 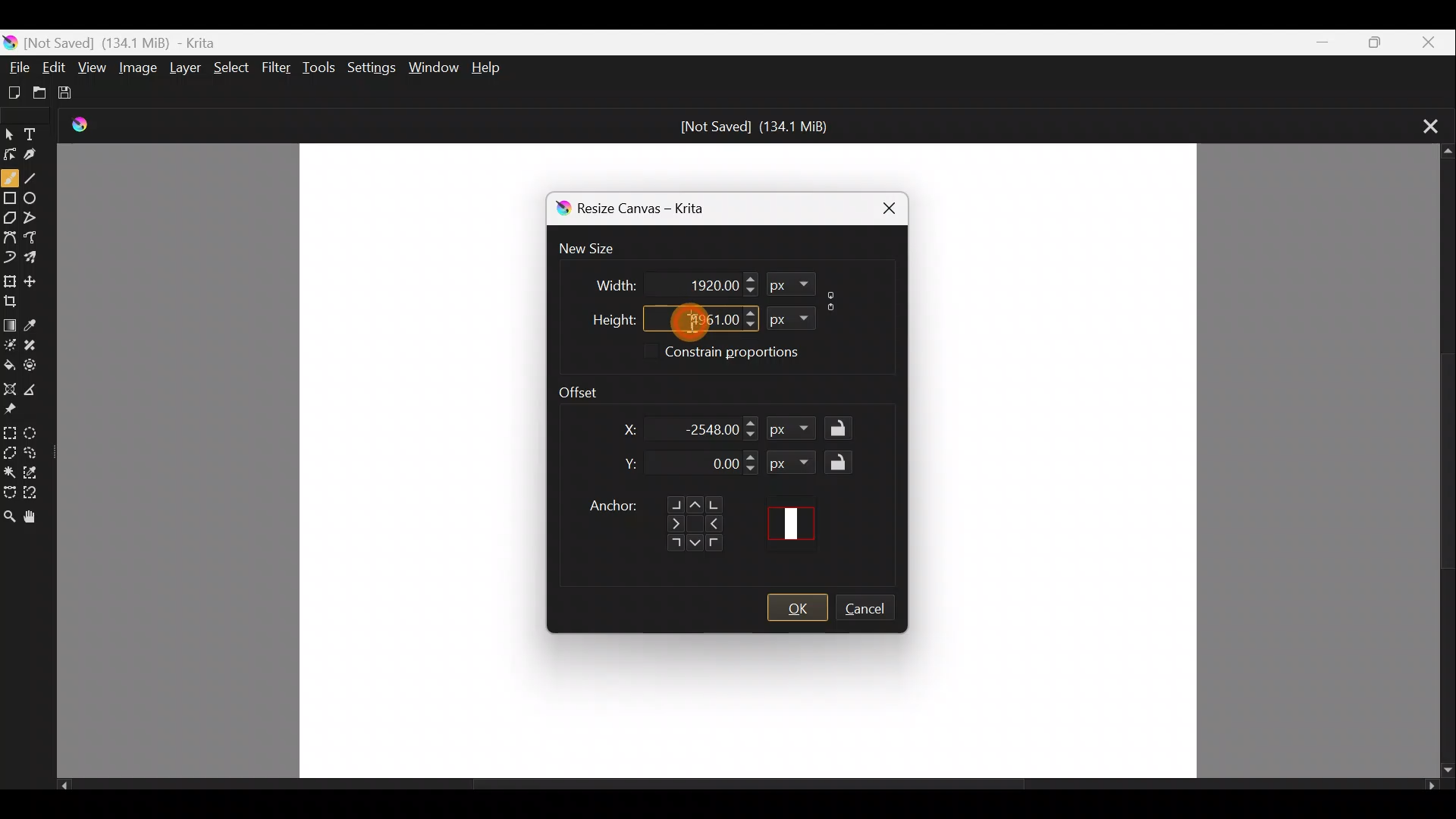 What do you see at coordinates (11, 454) in the screenshot?
I see `Polygonal section tool` at bounding box center [11, 454].